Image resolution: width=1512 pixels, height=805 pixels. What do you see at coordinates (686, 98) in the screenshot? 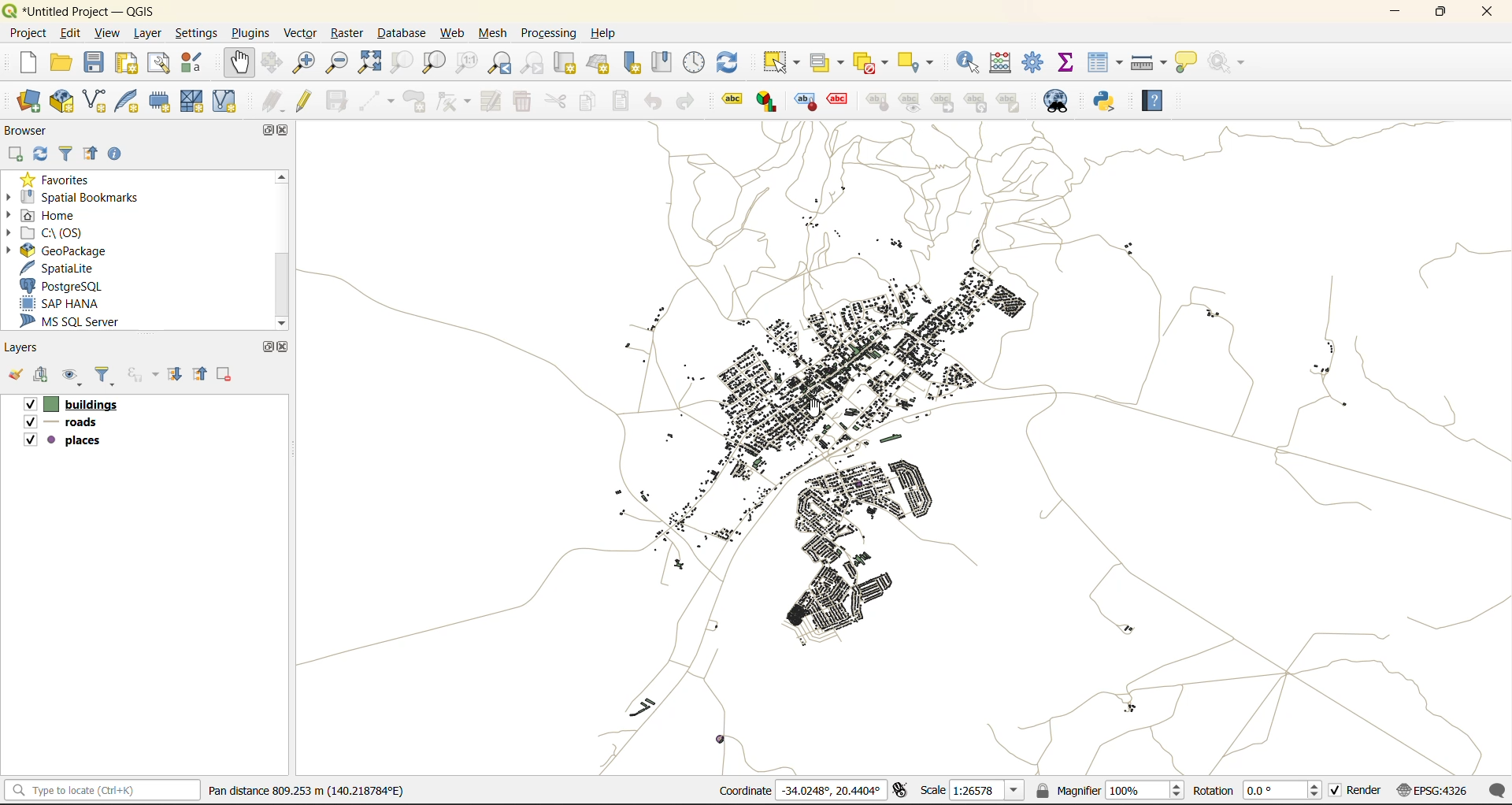
I see `redo` at bounding box center [686, 98].